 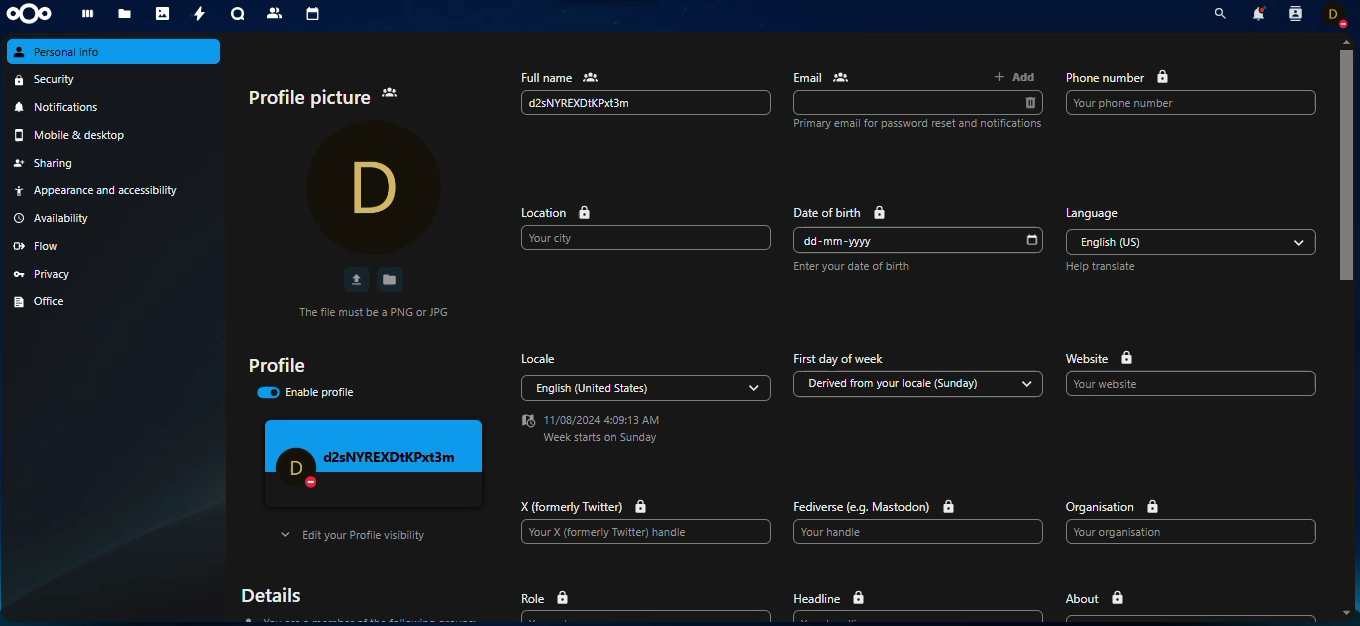 I want to click on Your website, so click(x=1190, y=383).